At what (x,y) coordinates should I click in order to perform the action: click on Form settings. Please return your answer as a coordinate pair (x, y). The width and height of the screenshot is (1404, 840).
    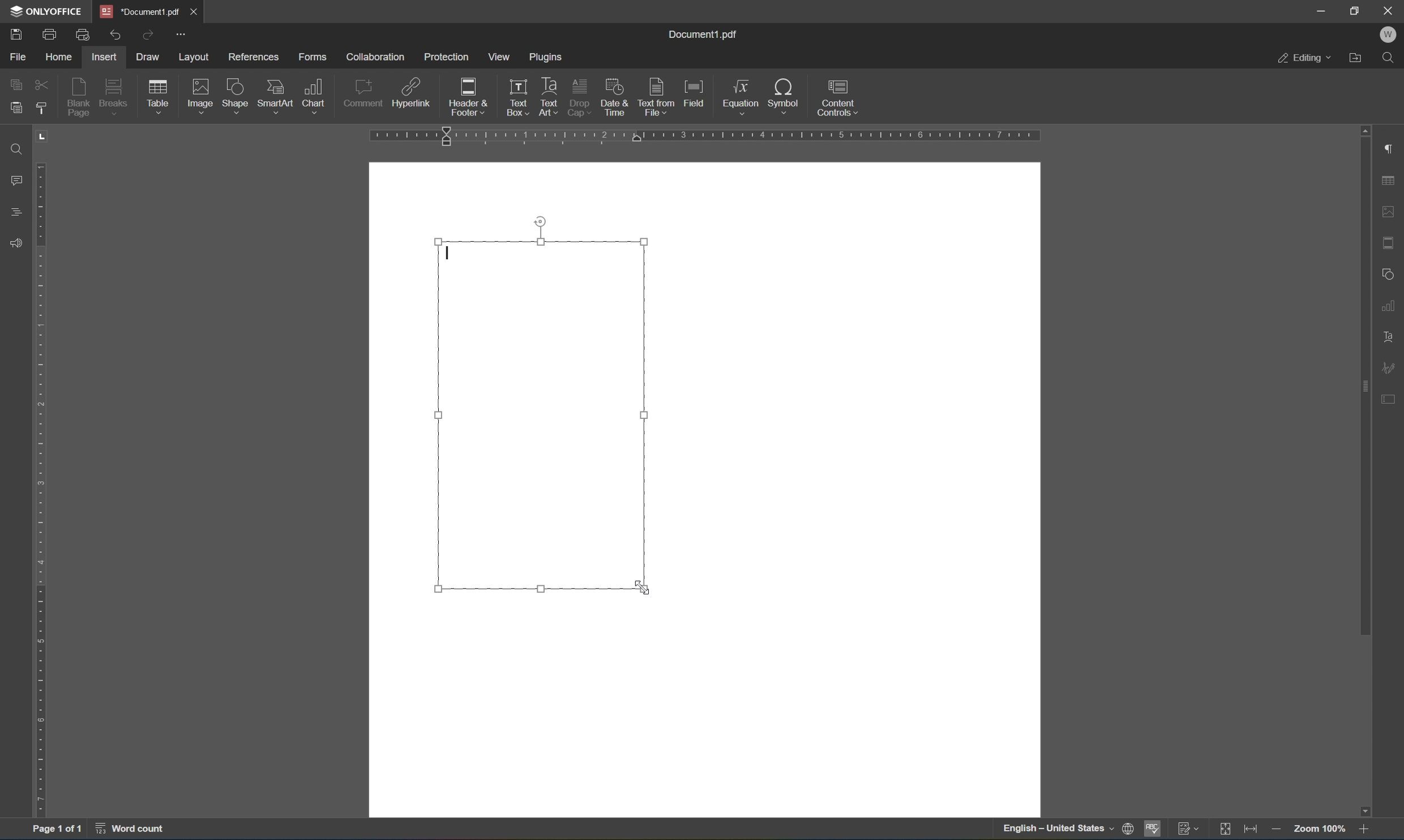
    Looking at the image, I should click on (1390, 397).